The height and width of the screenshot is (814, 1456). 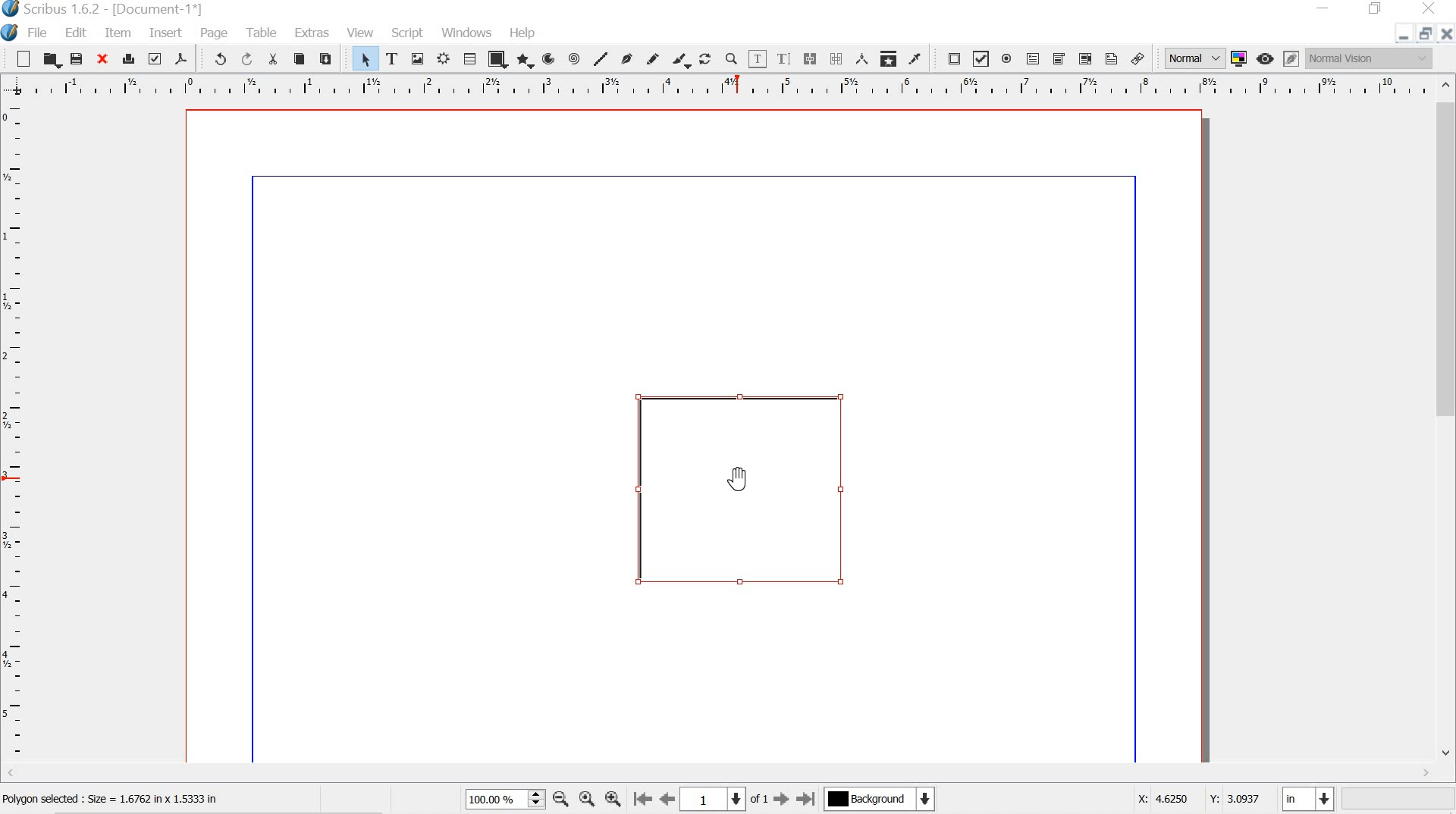 What do you see at coordinates (836, 58) in the screenshot?
I see `unlink text frame` at bounding box center [836, 58].